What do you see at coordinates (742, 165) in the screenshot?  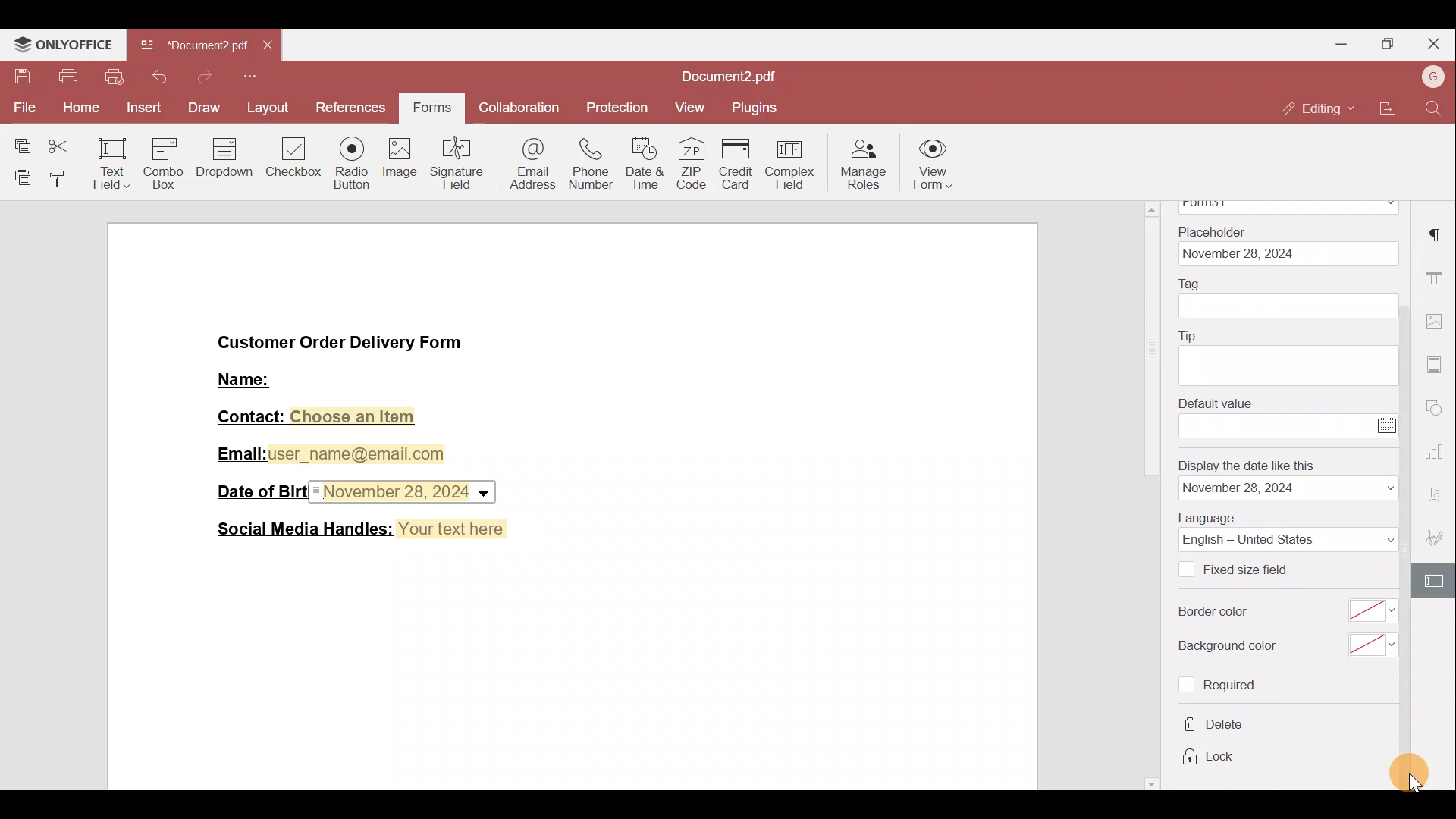 I see `Credit card` at bounding box center [742, 165].